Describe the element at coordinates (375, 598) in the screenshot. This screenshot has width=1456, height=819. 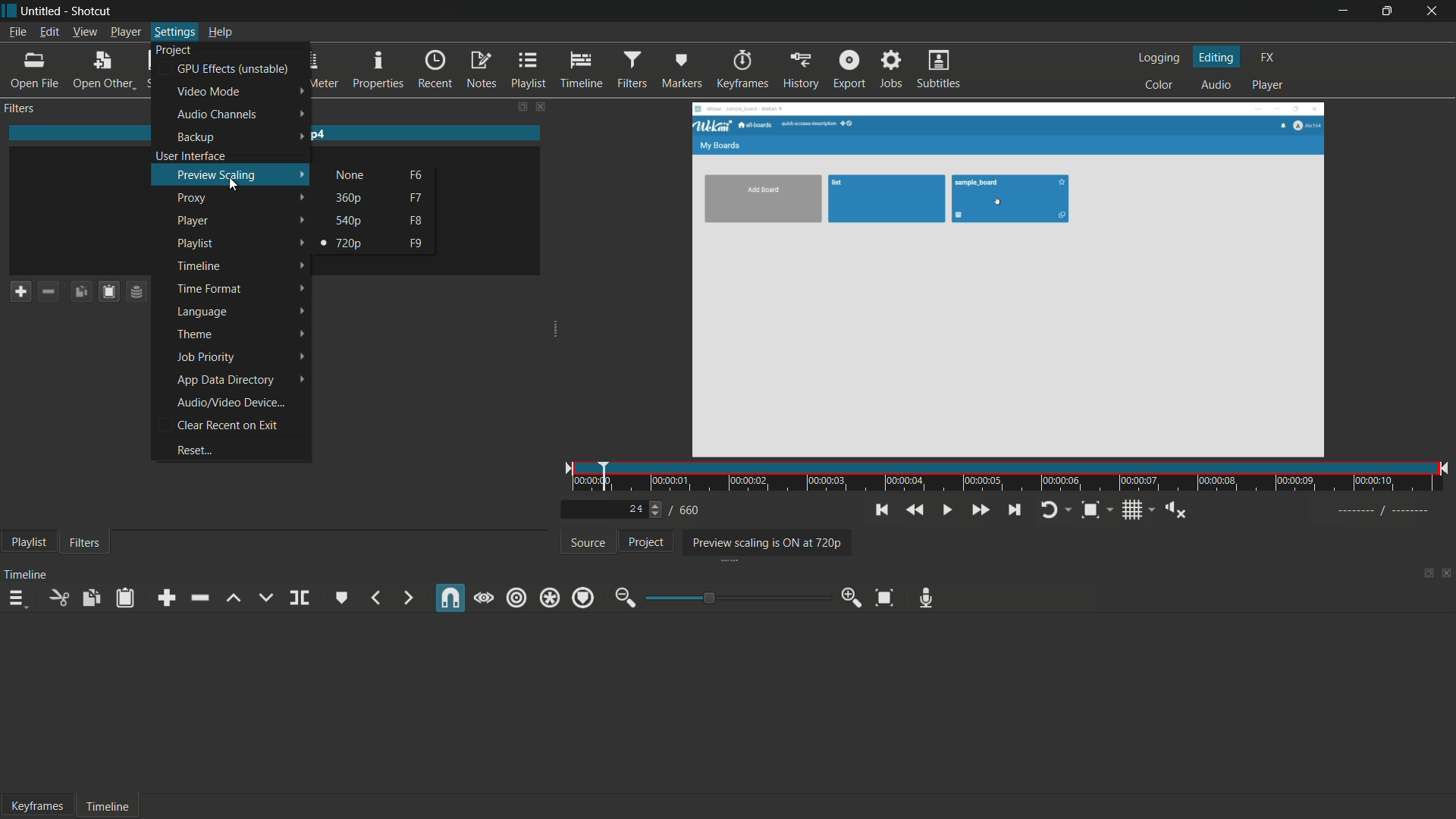
I see `previous marker` at that location.